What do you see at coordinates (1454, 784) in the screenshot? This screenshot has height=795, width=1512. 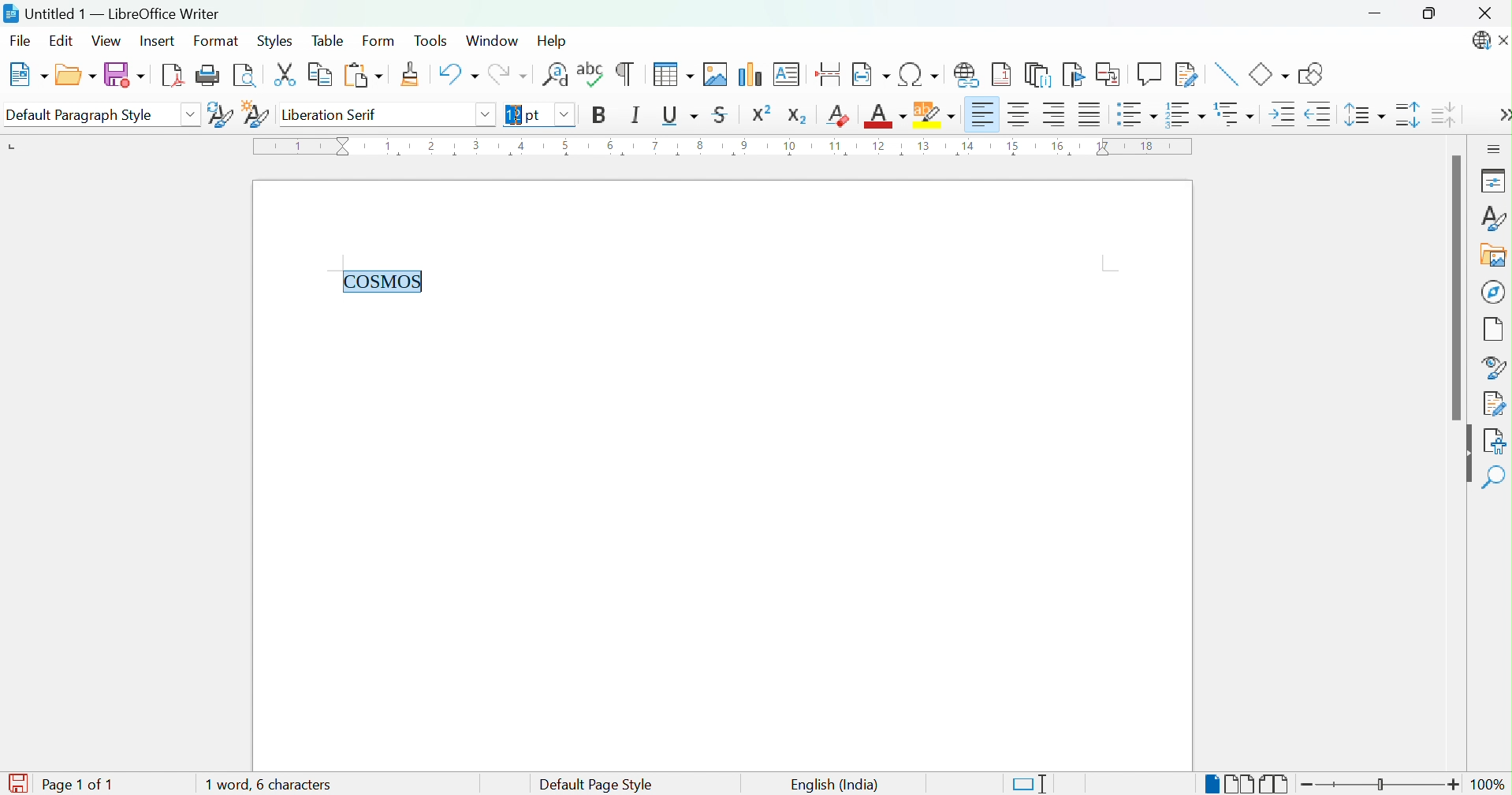 I see `Zoom in` at bounding box center [1454, 784].